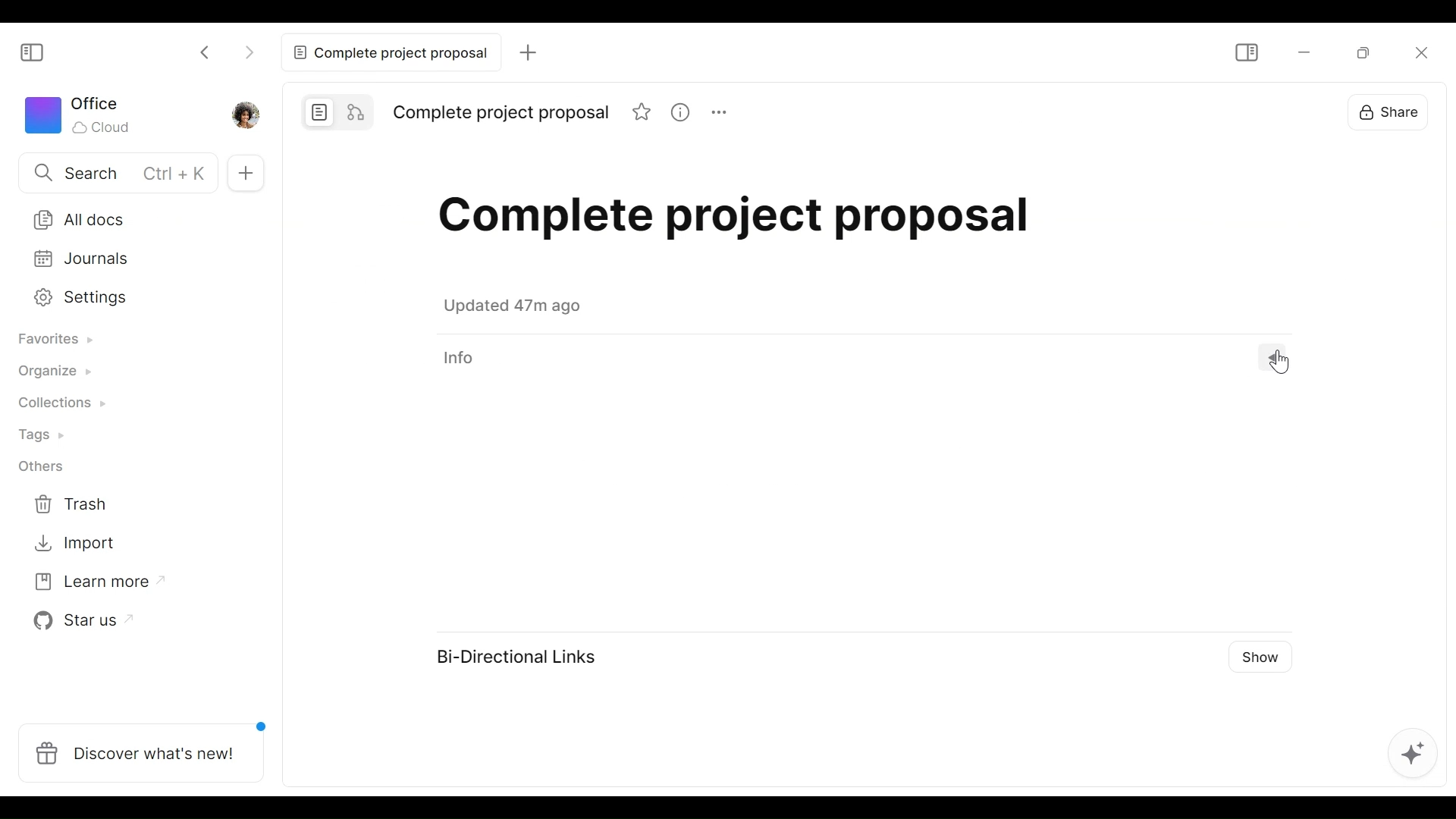  I want to click on Page mode, so click(316, 110).